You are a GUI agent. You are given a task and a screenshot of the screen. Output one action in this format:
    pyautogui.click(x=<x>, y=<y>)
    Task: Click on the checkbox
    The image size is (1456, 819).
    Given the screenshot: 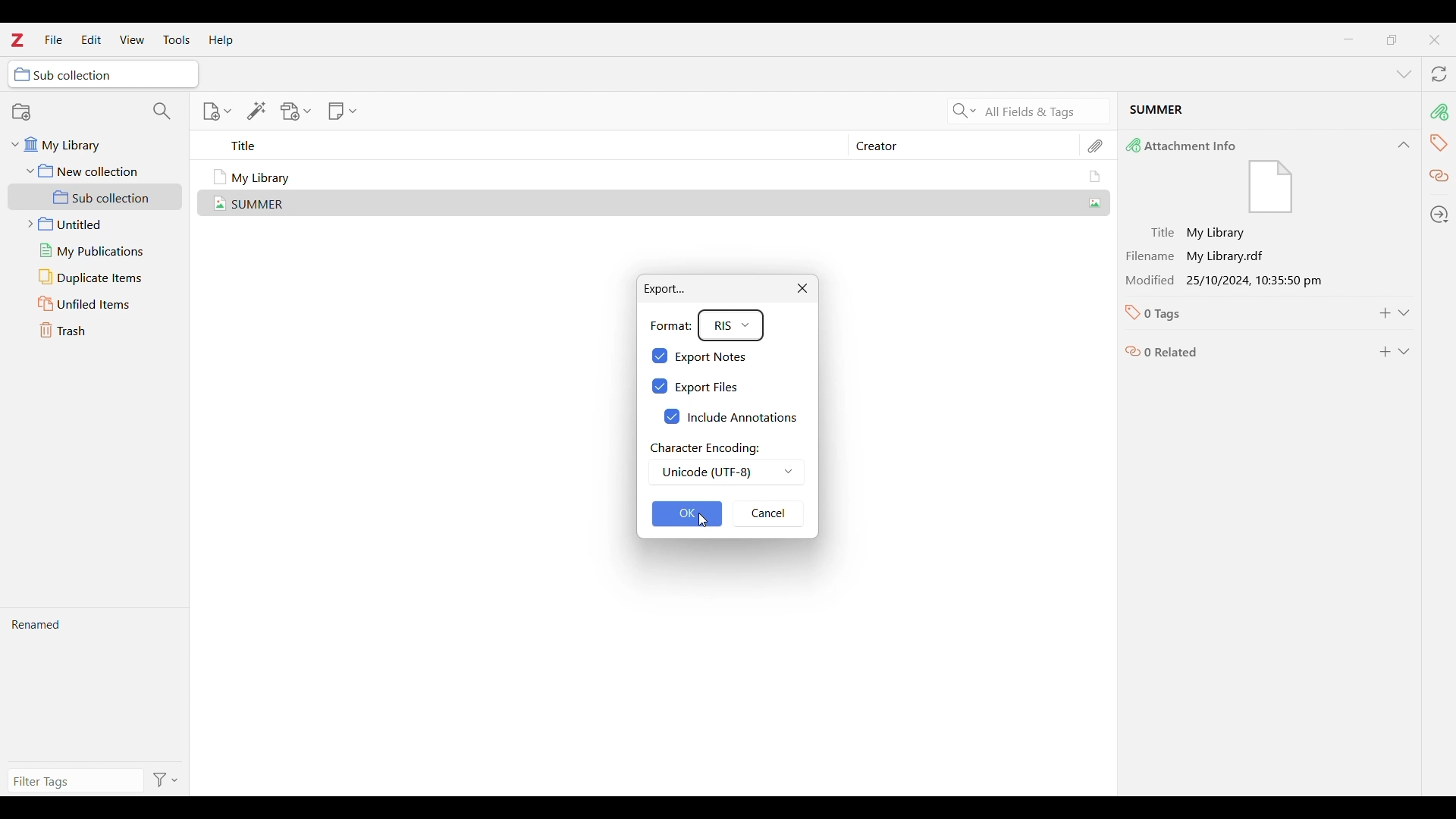 What is the action you would take?
    pyautogui.click(x=658, y=385)
    